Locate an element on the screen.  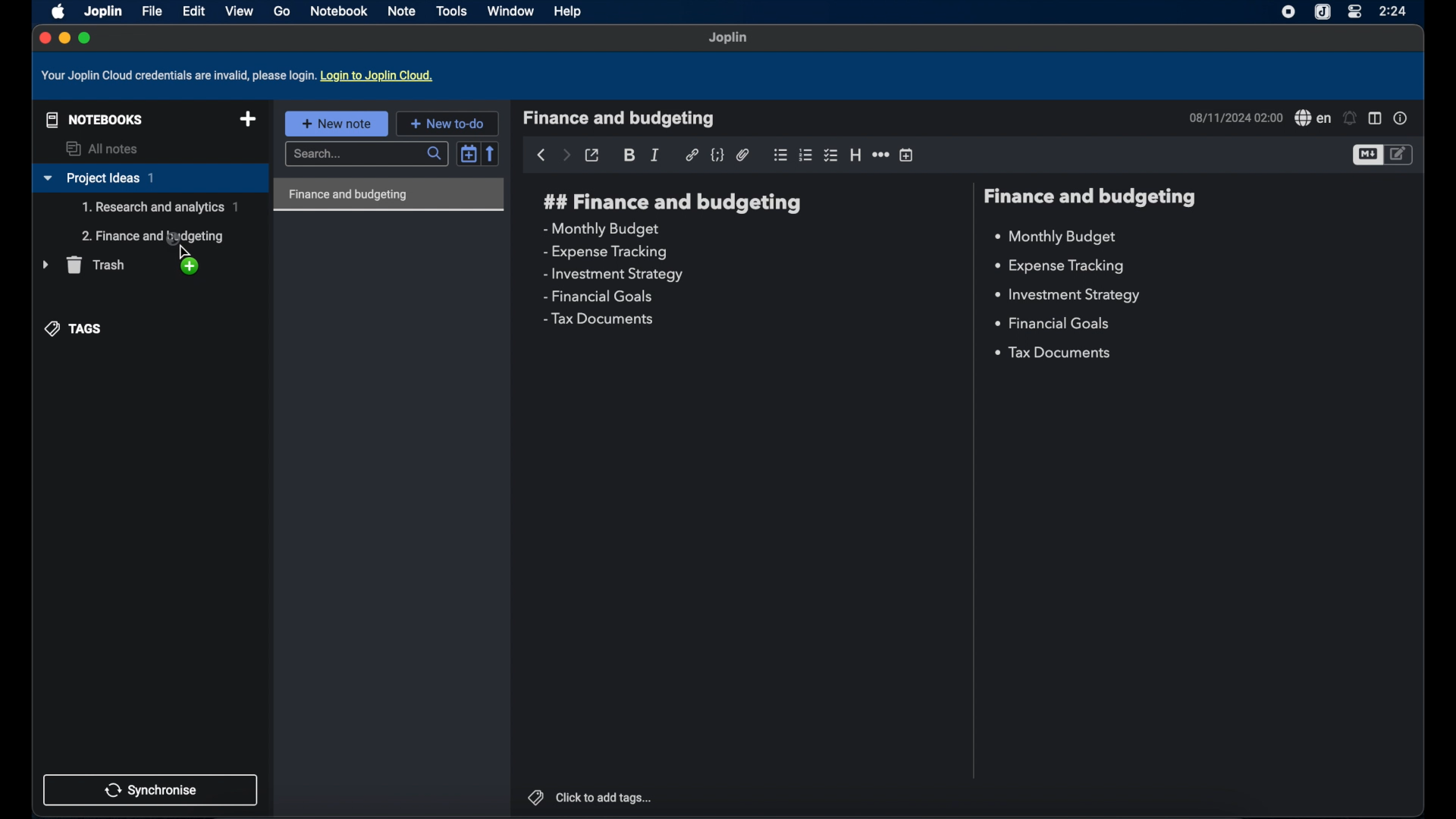
all notes is located at coordinates (104, 149).